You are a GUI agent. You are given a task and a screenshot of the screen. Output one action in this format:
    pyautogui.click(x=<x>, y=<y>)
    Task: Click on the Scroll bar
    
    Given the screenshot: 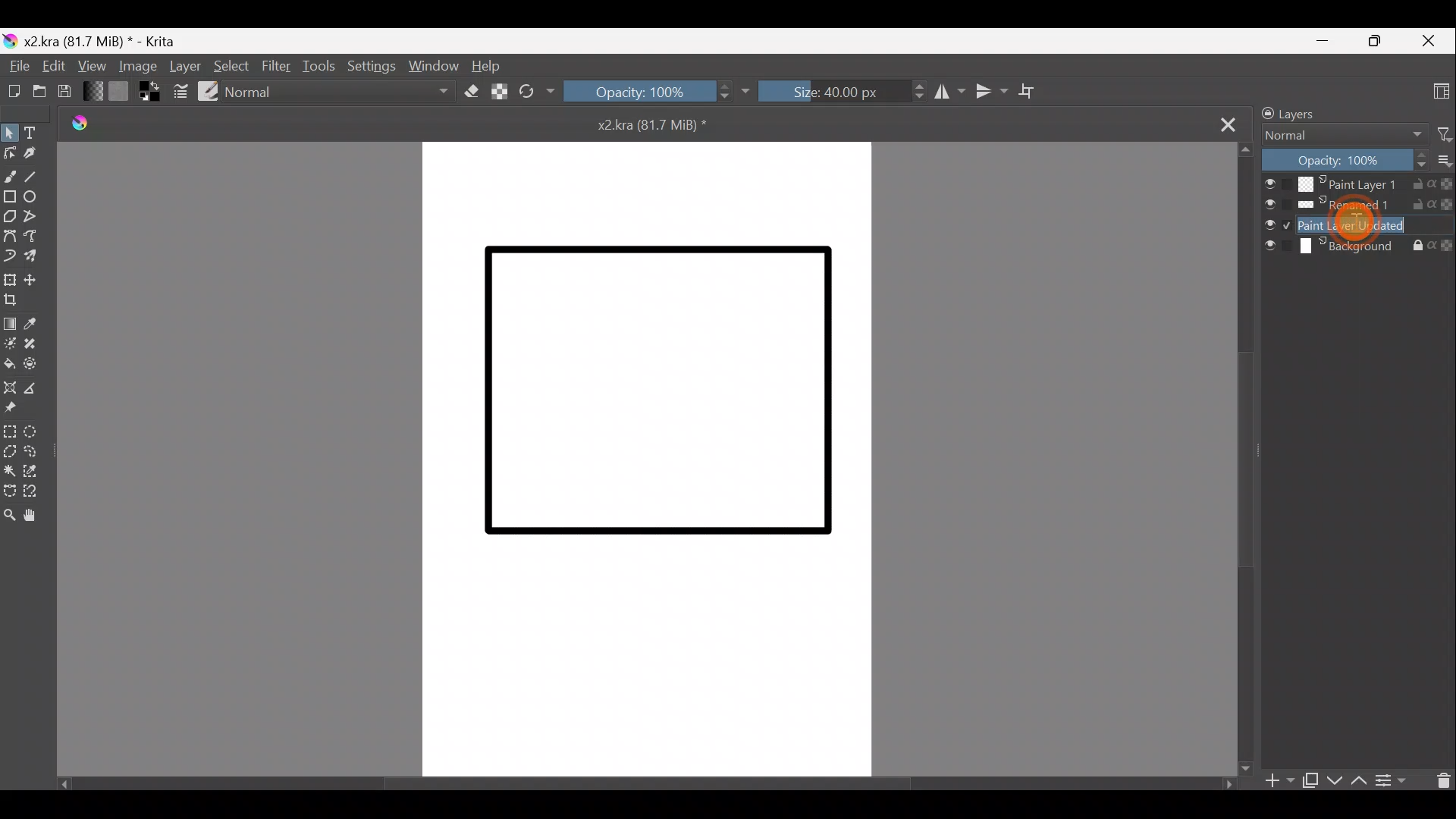 What is the action you would take?
    pyautogui.click(x=632, y=783)
    